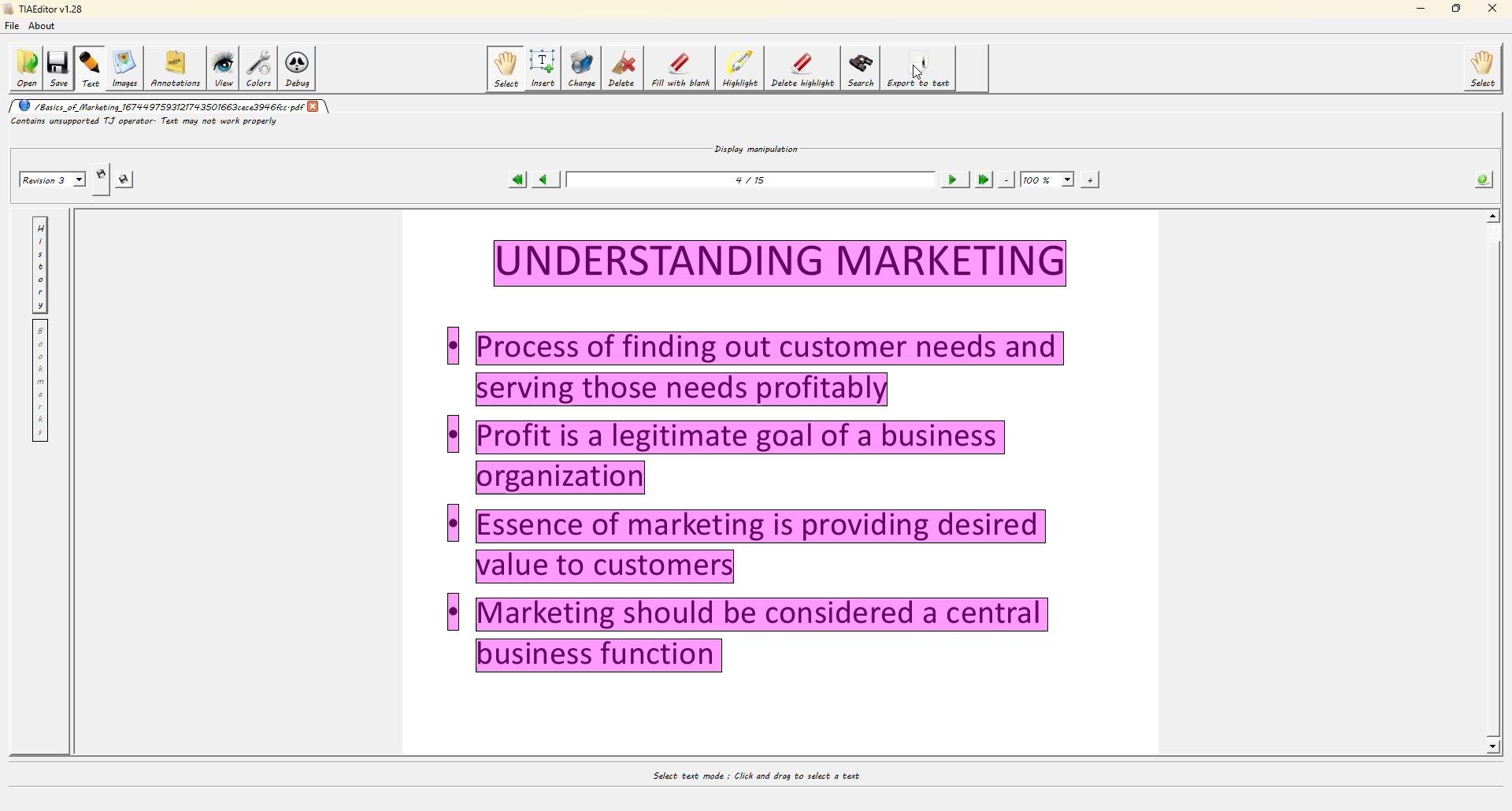  Describe the element at coordinates (89, 69) in the screenshot. I see `text` at that location.